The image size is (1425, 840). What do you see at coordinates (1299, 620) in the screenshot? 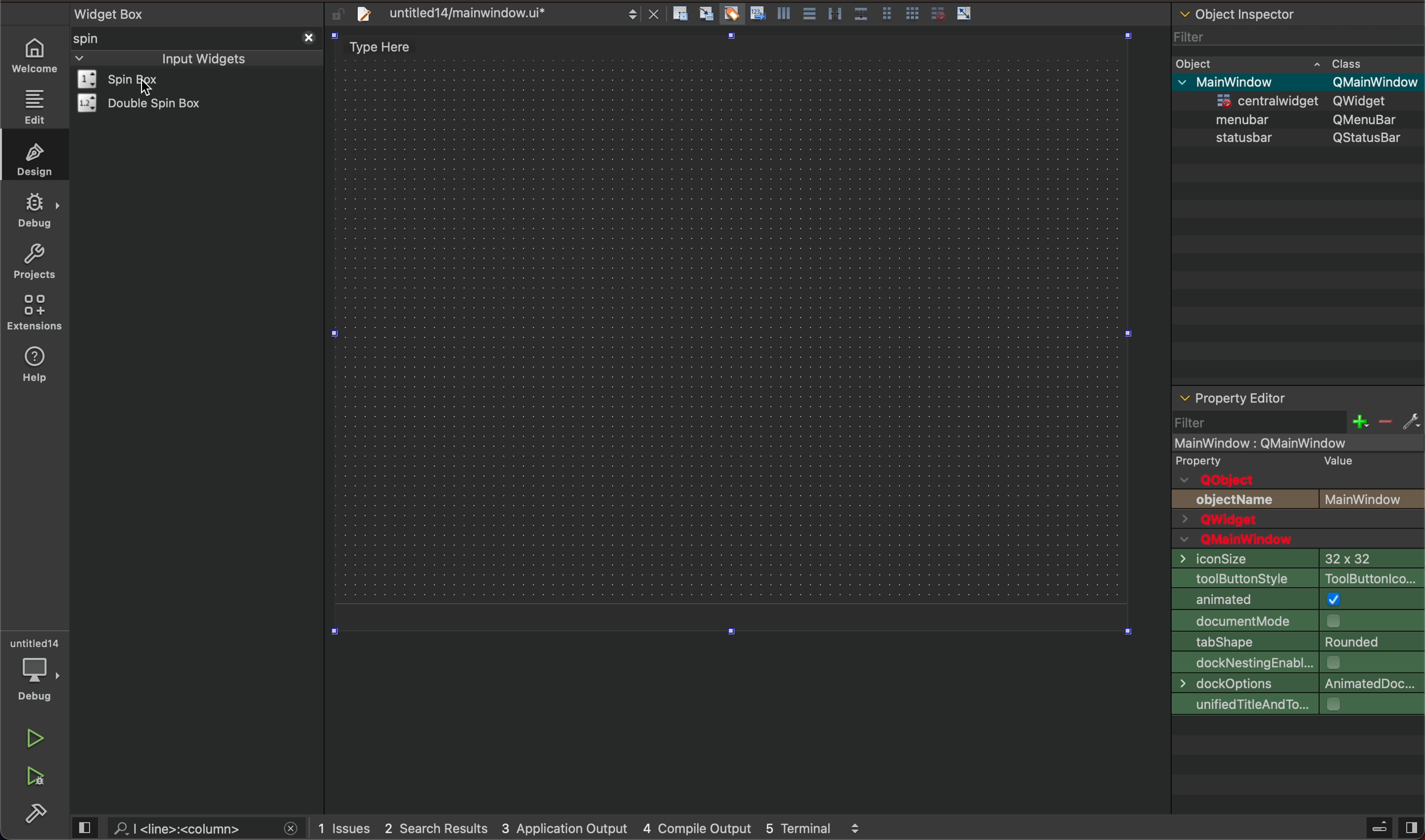
I see `document mode` at bounding box center [1299, 620].